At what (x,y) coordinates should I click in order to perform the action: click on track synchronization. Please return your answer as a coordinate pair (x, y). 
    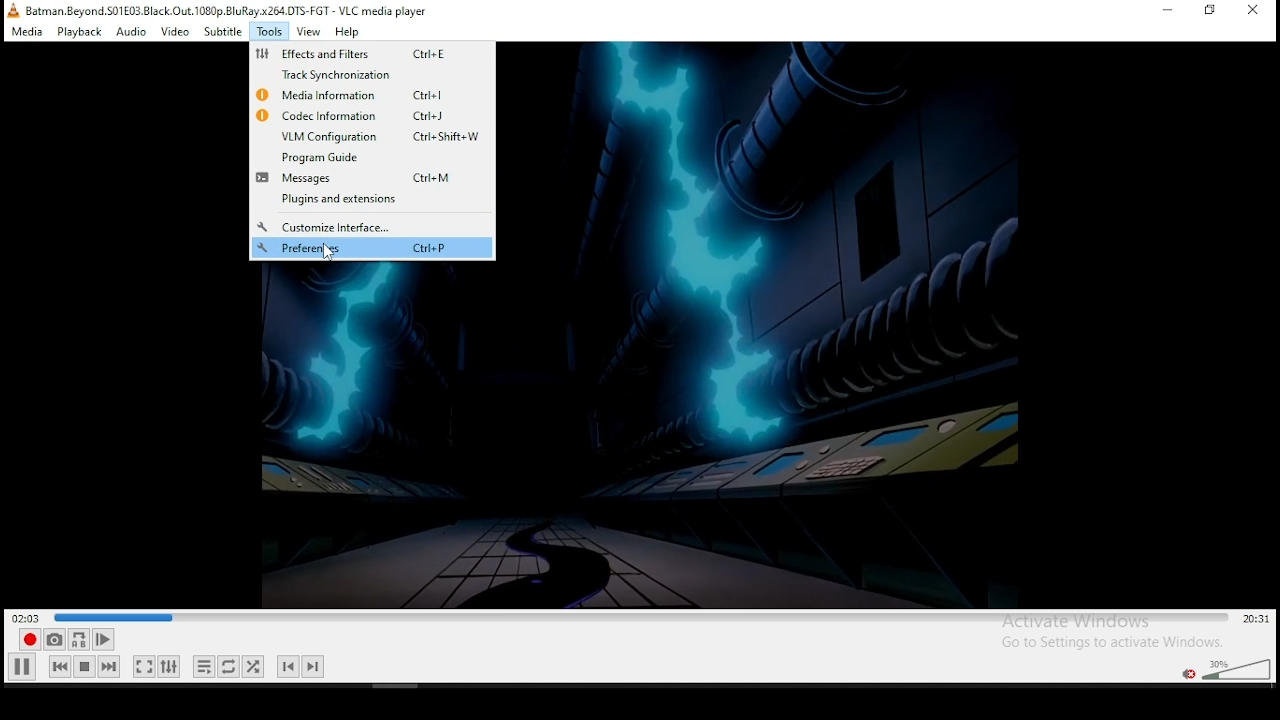
    Looking at the image, I should click on (364, 75).